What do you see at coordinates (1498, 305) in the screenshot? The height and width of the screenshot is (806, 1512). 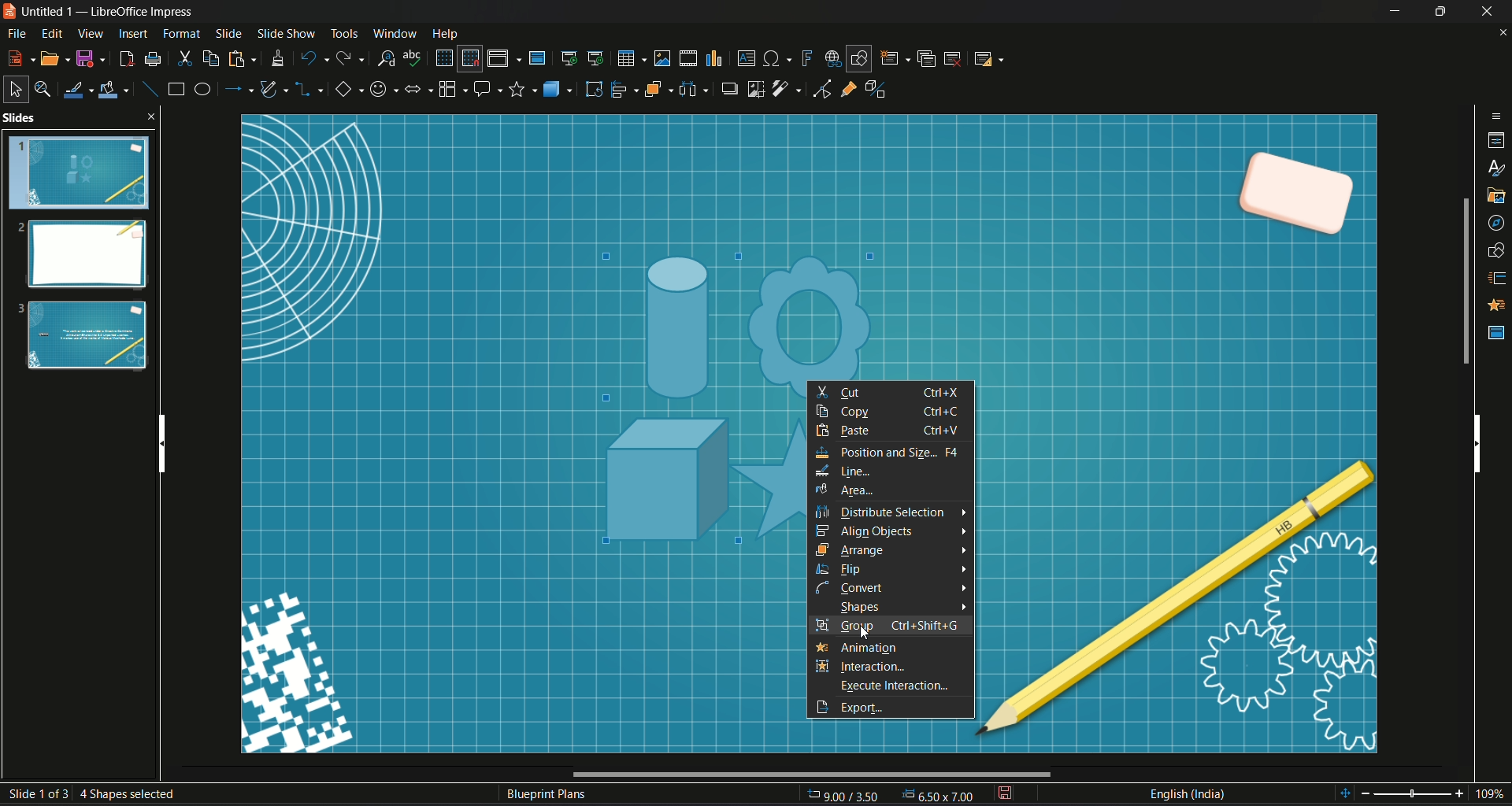 I see `Animation` at bounding box center [1498, 305].